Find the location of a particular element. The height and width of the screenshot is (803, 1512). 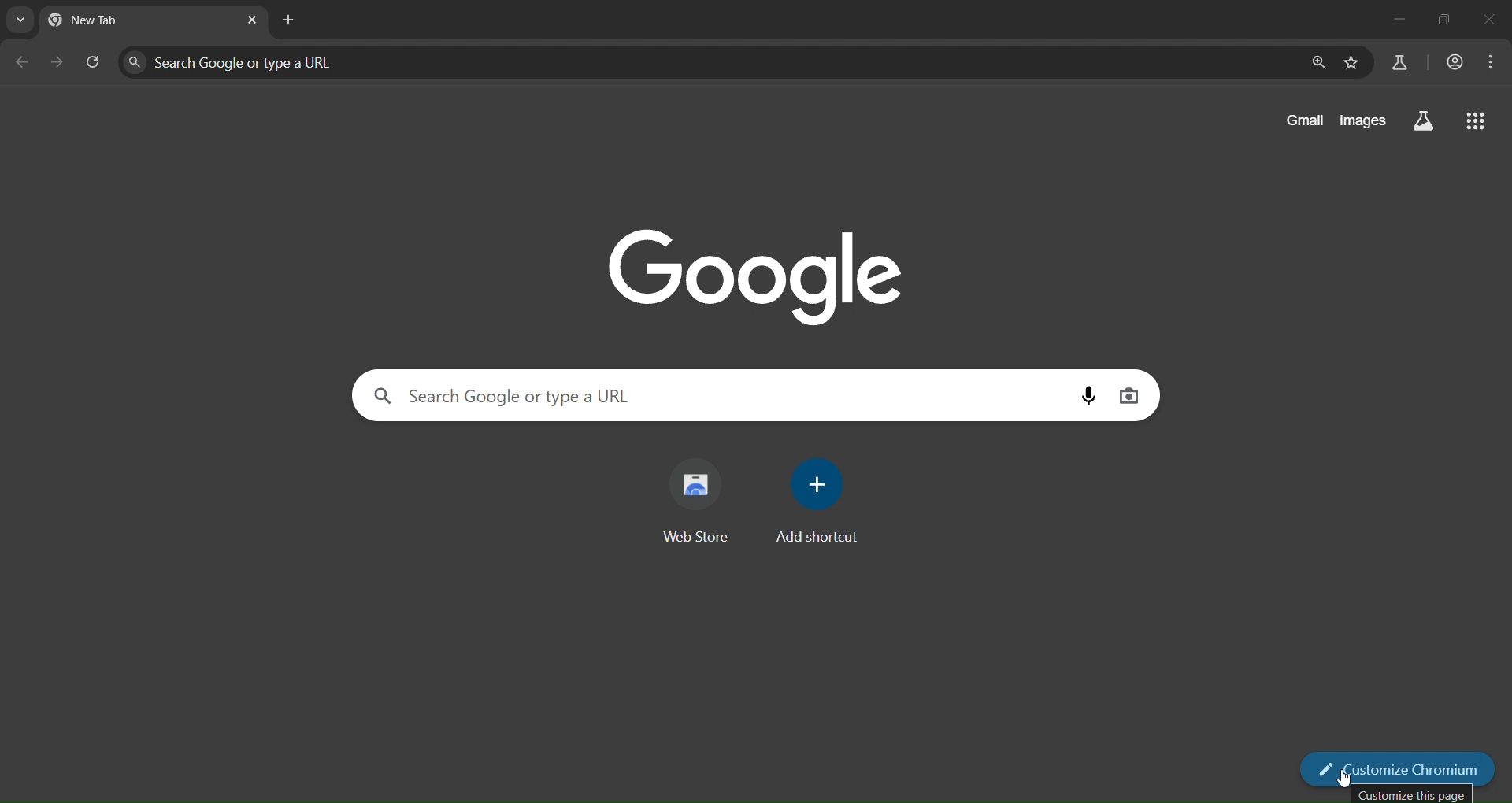

add shortcut is located at coordinates (821, 496).